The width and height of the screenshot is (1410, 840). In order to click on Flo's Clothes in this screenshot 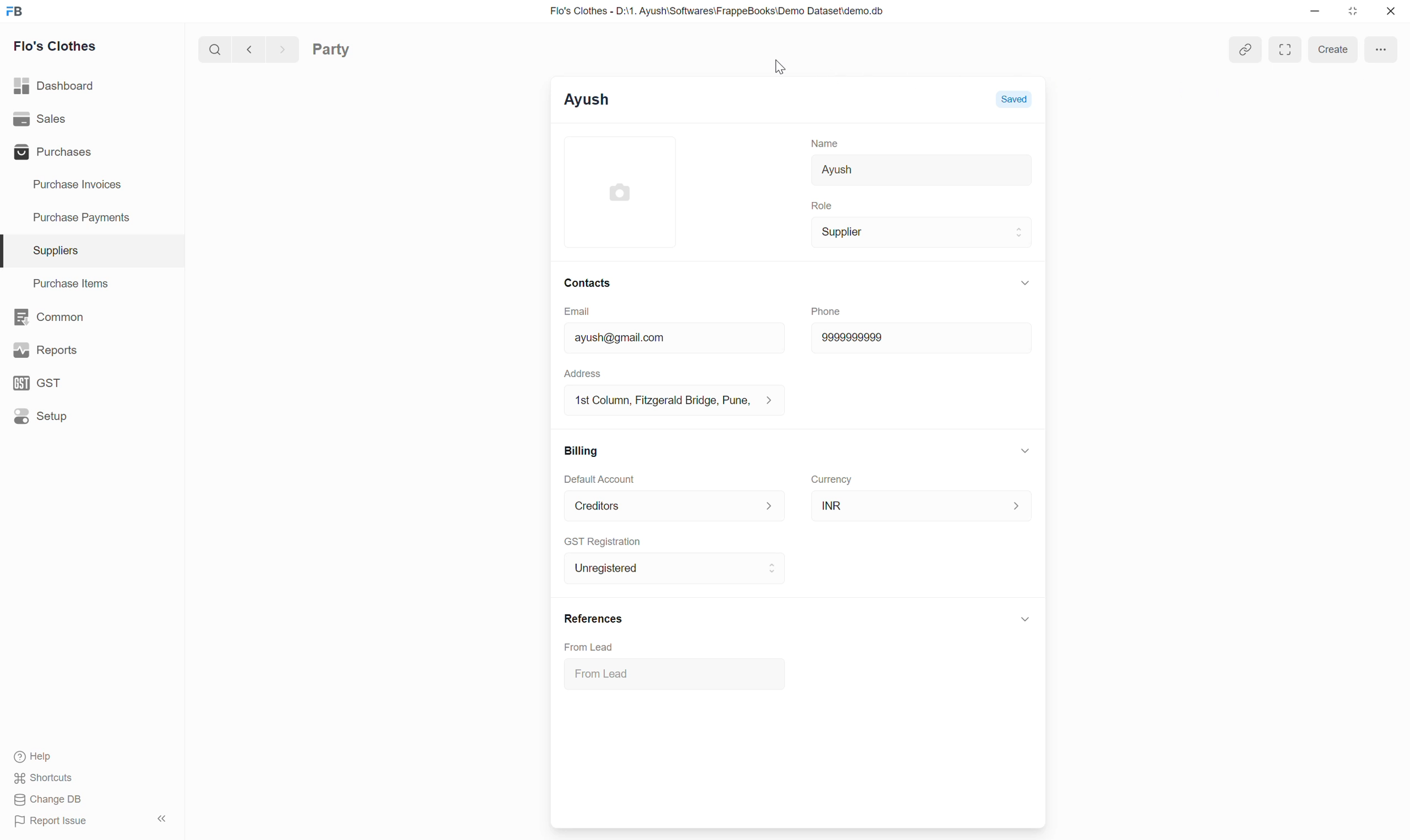, I will do `click(55, 45)`.